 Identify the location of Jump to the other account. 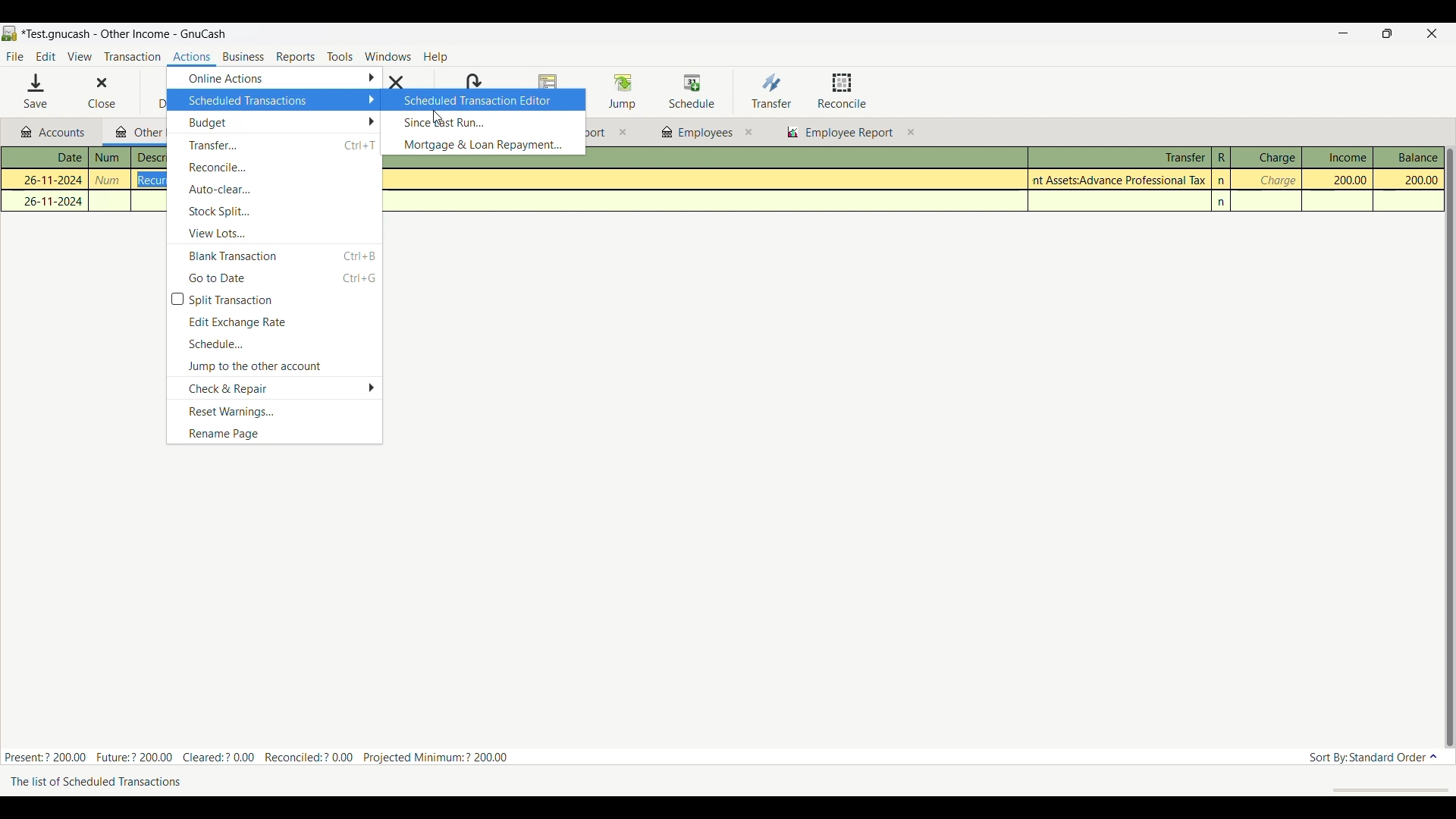
(274, 366).